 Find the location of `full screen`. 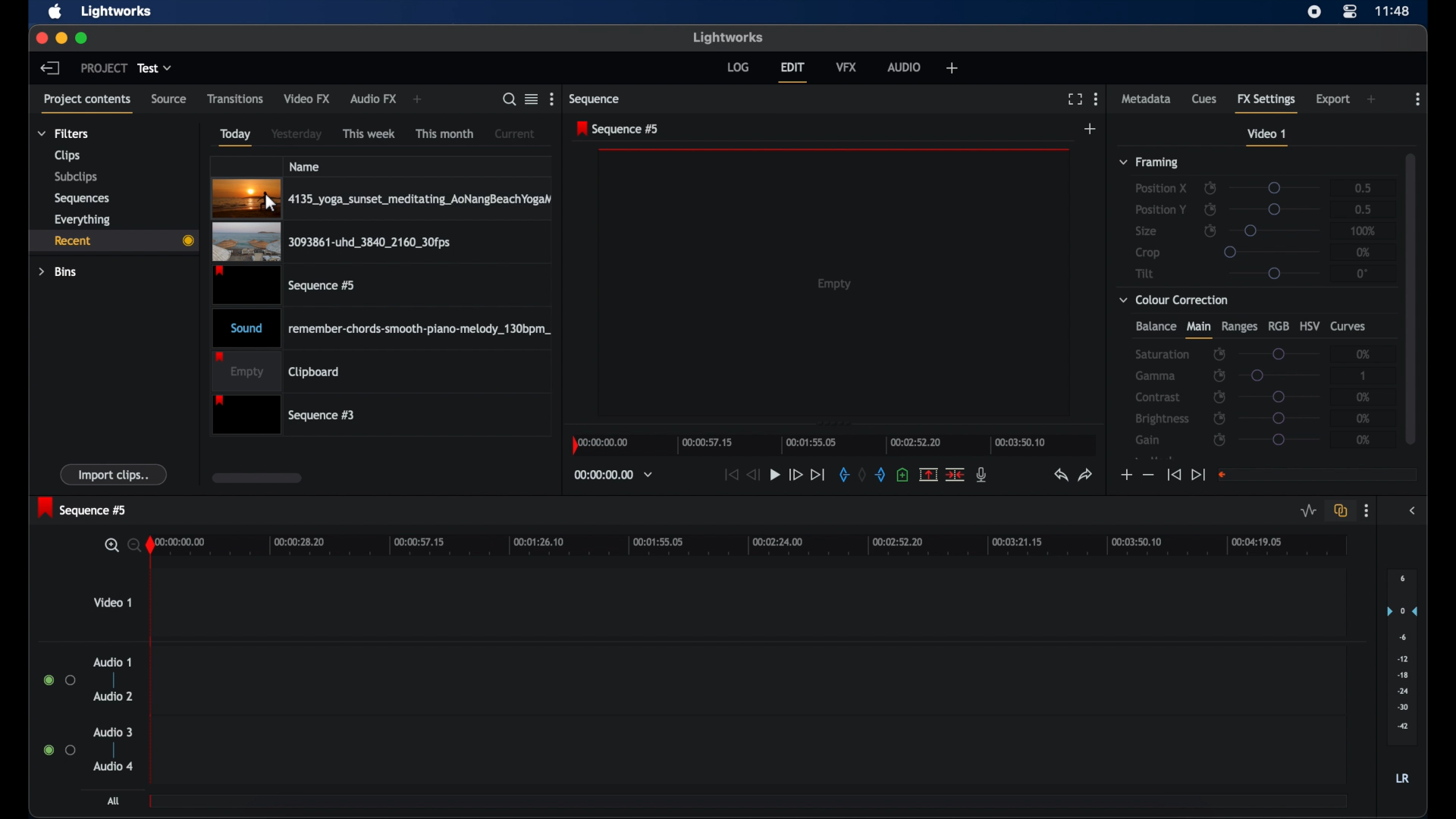

full screen is located at coordinates (1075, 99).